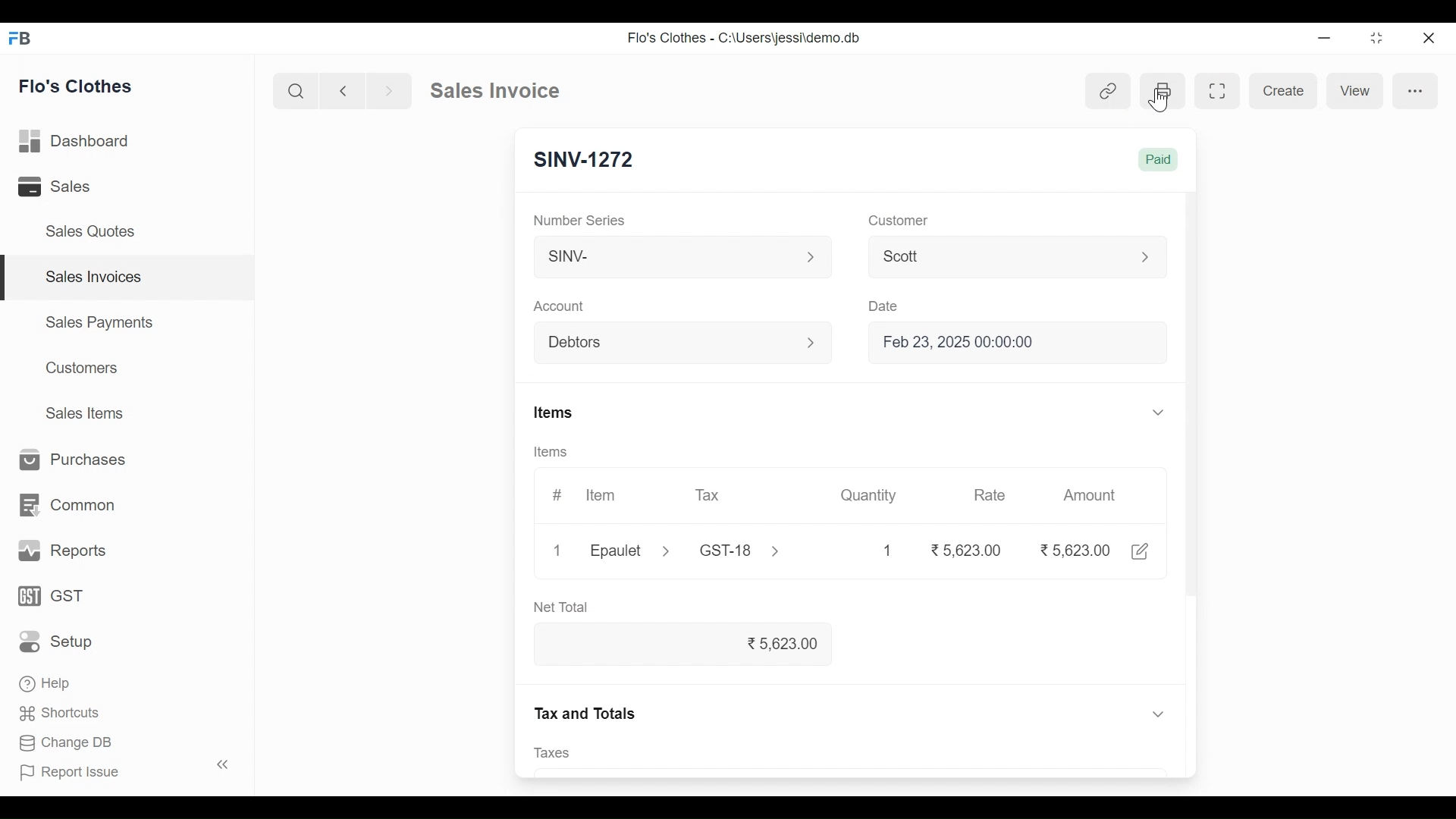 This screenshot has width=1456, height=819. What do you see at coordinates (884, 306) in the screenshot?
I see `Date` at bounding box center [884, 306].